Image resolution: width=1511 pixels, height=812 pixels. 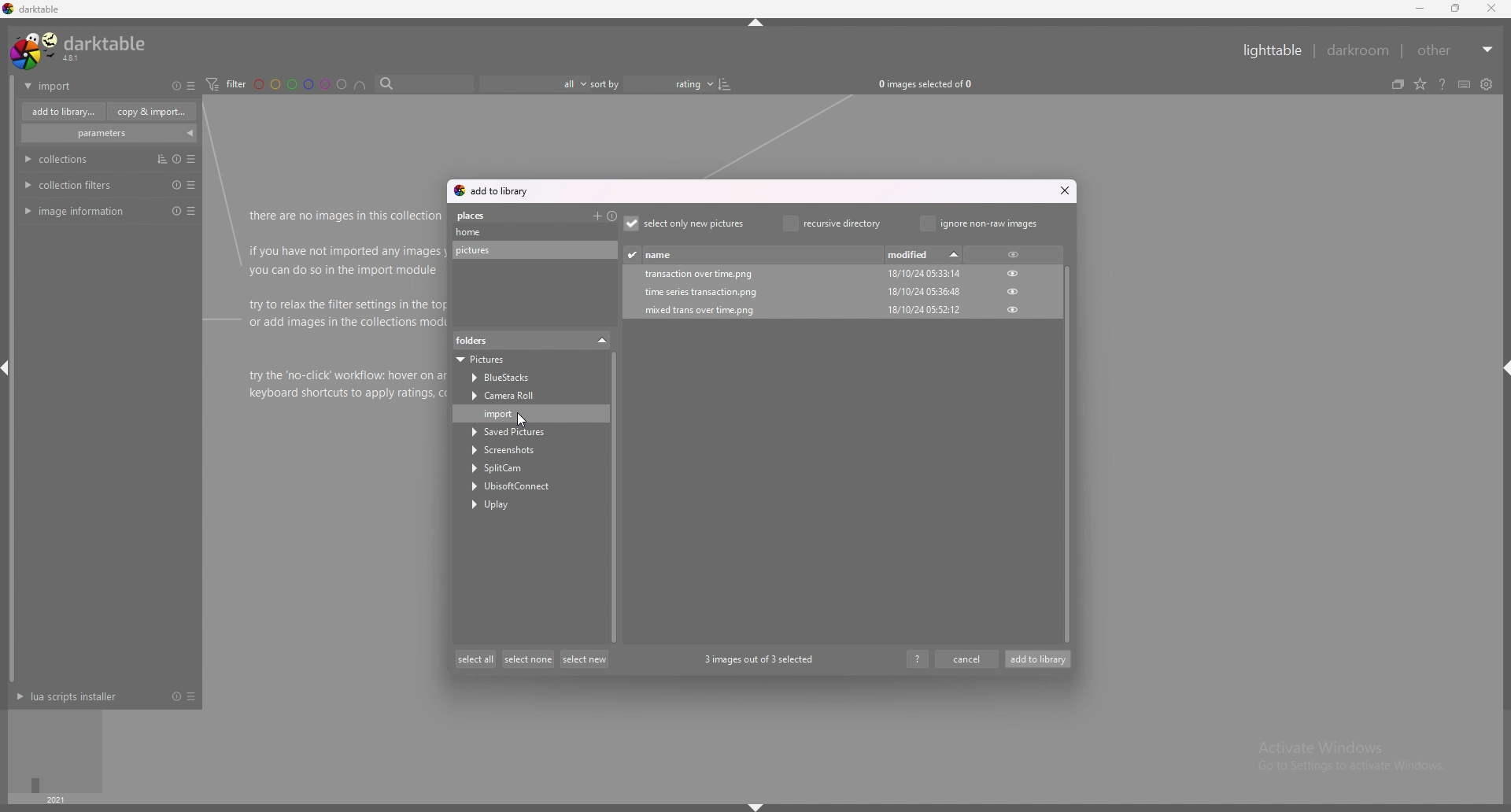 I want to click on recursive directory, so click(x=833, y=223).